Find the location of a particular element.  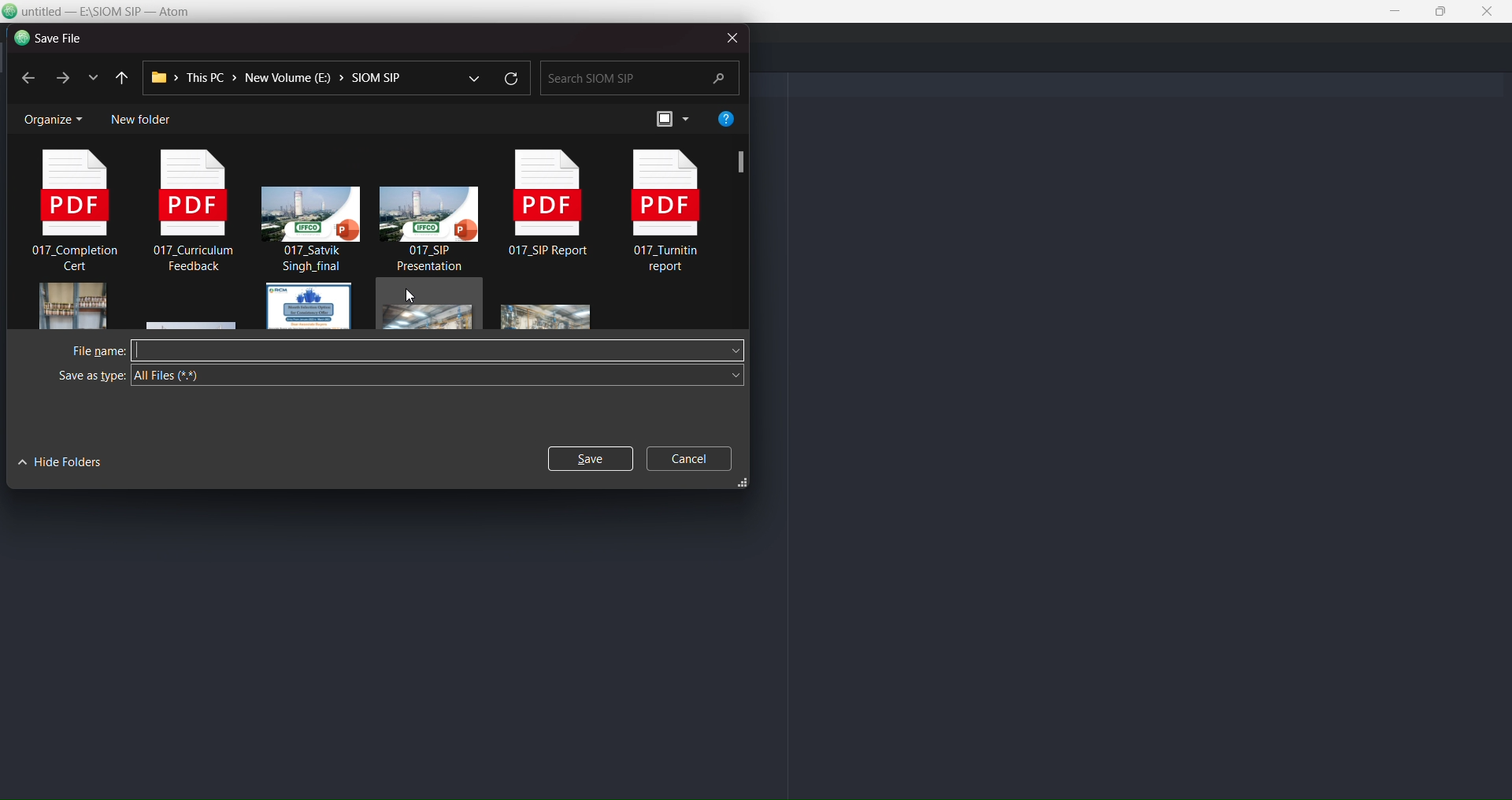

pdf file is located at coordinates (195, 209).